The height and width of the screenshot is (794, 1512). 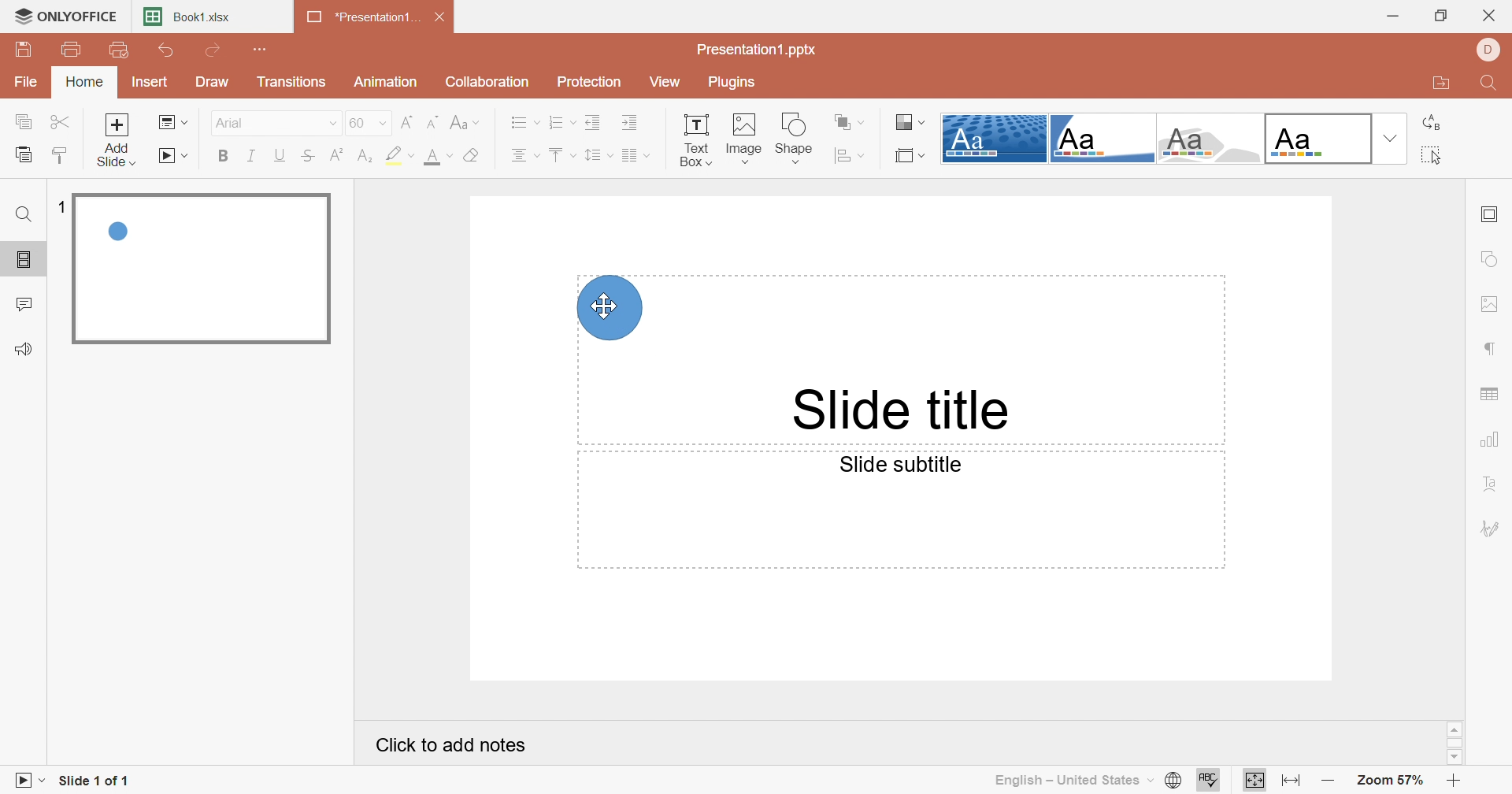 What do you see at coordinates (851, 156) in the screenshot?
I see `Align shape` at bounding box center [851, 156].